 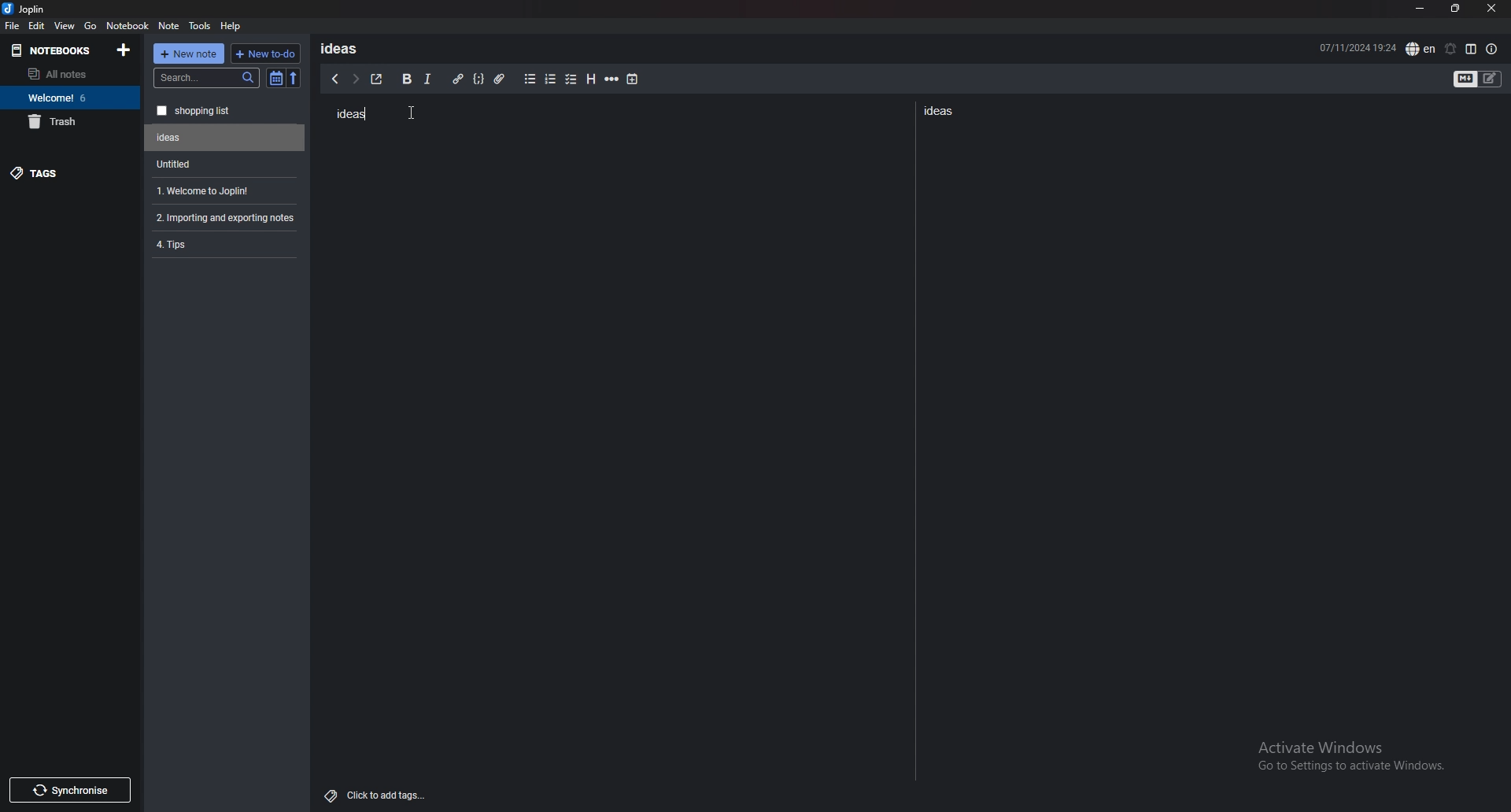 What do you see at coordinates (1420, 9) in the screenshot?
I see `minimize` at bounding box center [1420, 9].